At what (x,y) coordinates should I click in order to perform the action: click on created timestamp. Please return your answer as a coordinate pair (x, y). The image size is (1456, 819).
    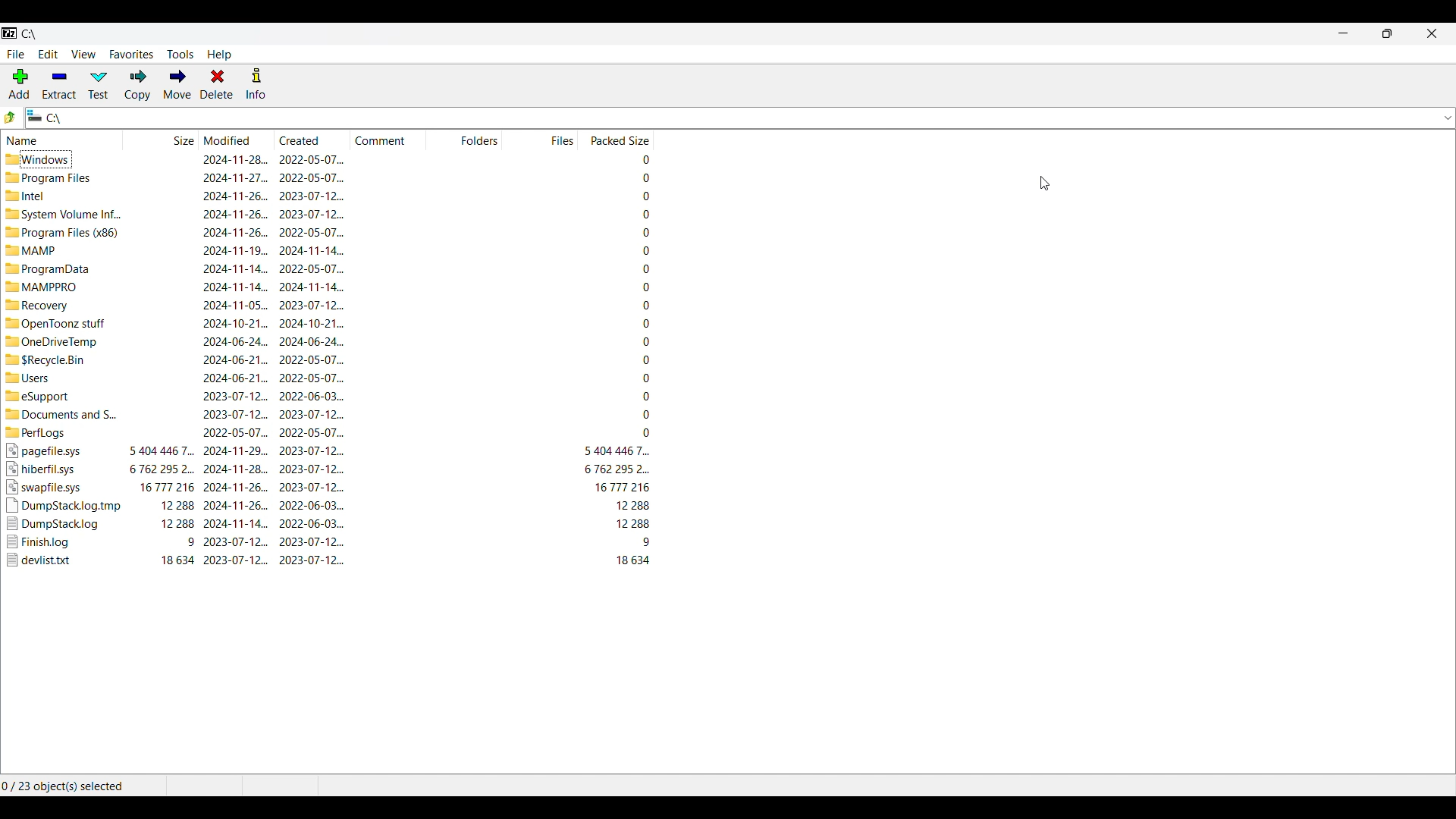
    Looking at the image, I should click on (312, 359).